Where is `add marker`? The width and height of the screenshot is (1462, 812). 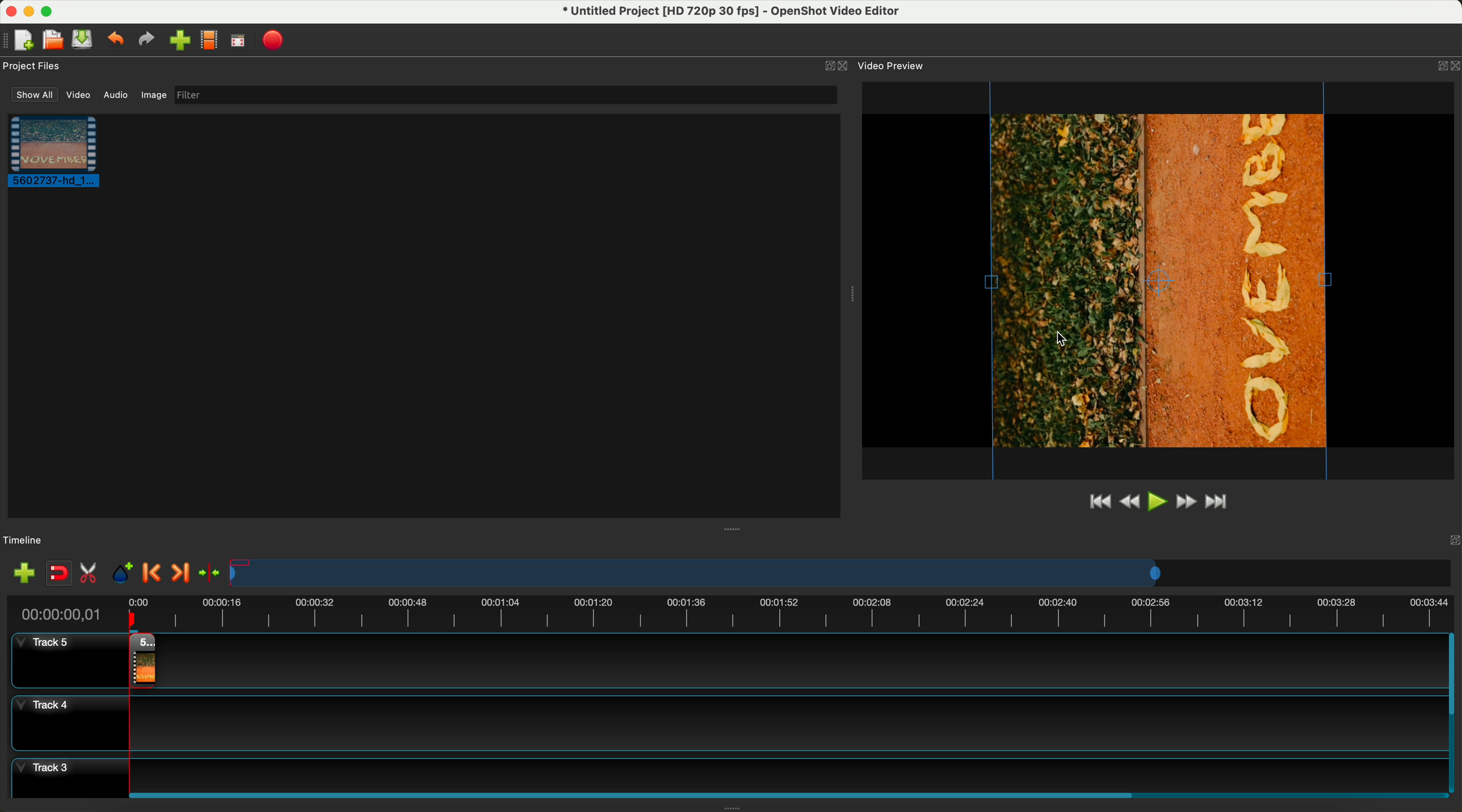 add marker is located at coordinates (123, 574).